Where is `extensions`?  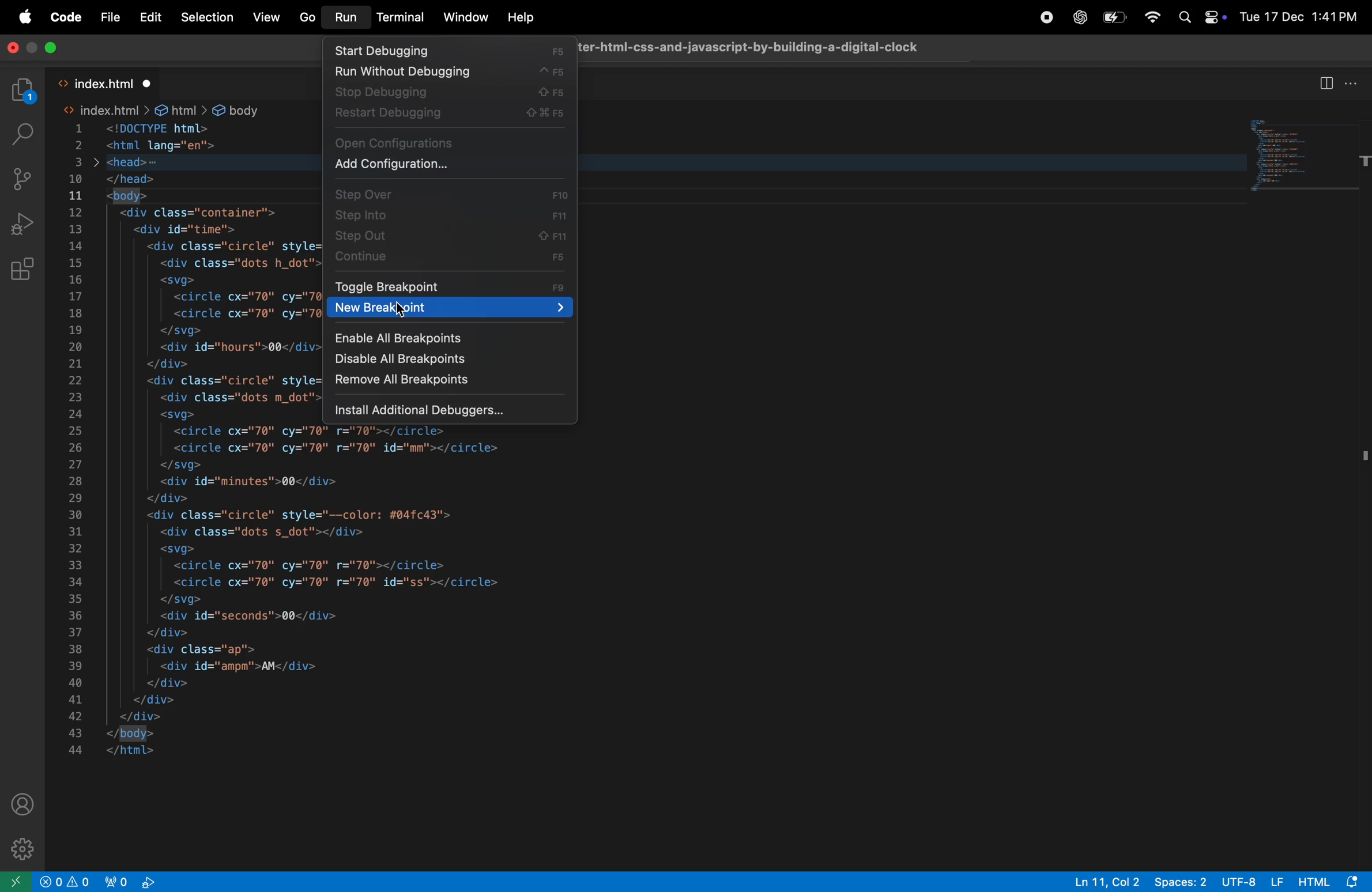 extensions is located at coordinates (24, 267).